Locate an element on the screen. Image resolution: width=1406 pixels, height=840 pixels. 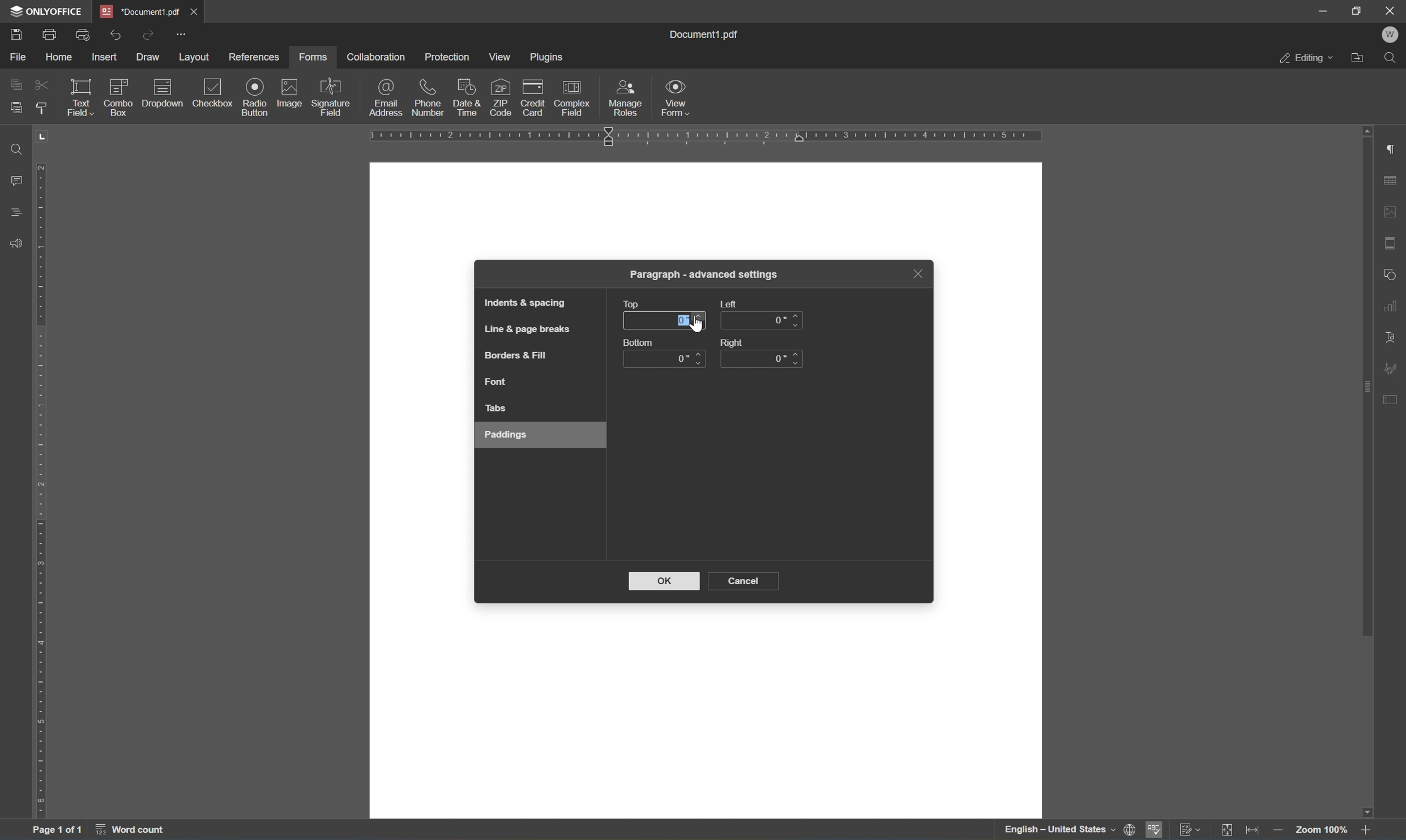
combo box is located at coordinates (119, 95).